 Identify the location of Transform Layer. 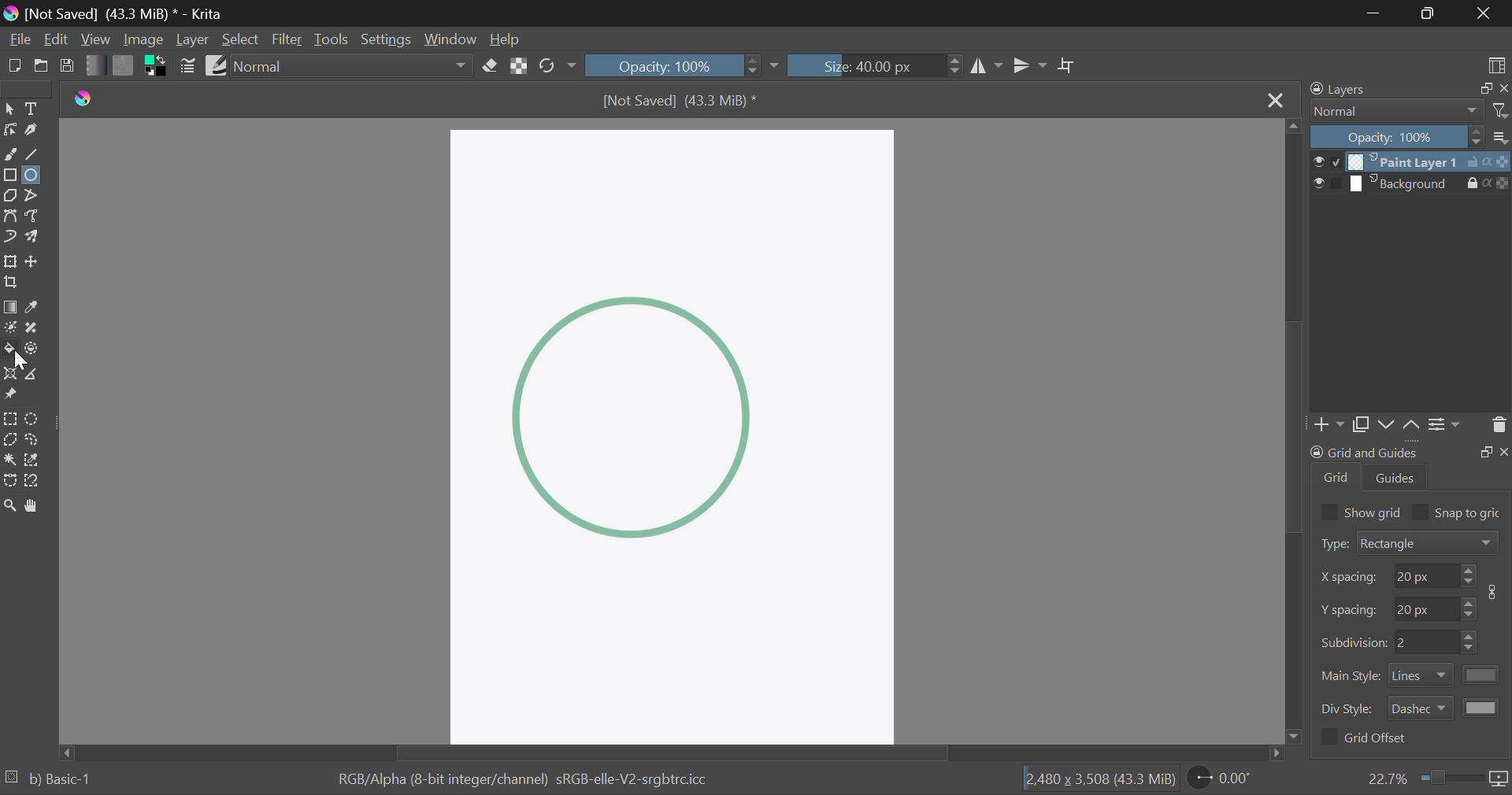
(9, 261).